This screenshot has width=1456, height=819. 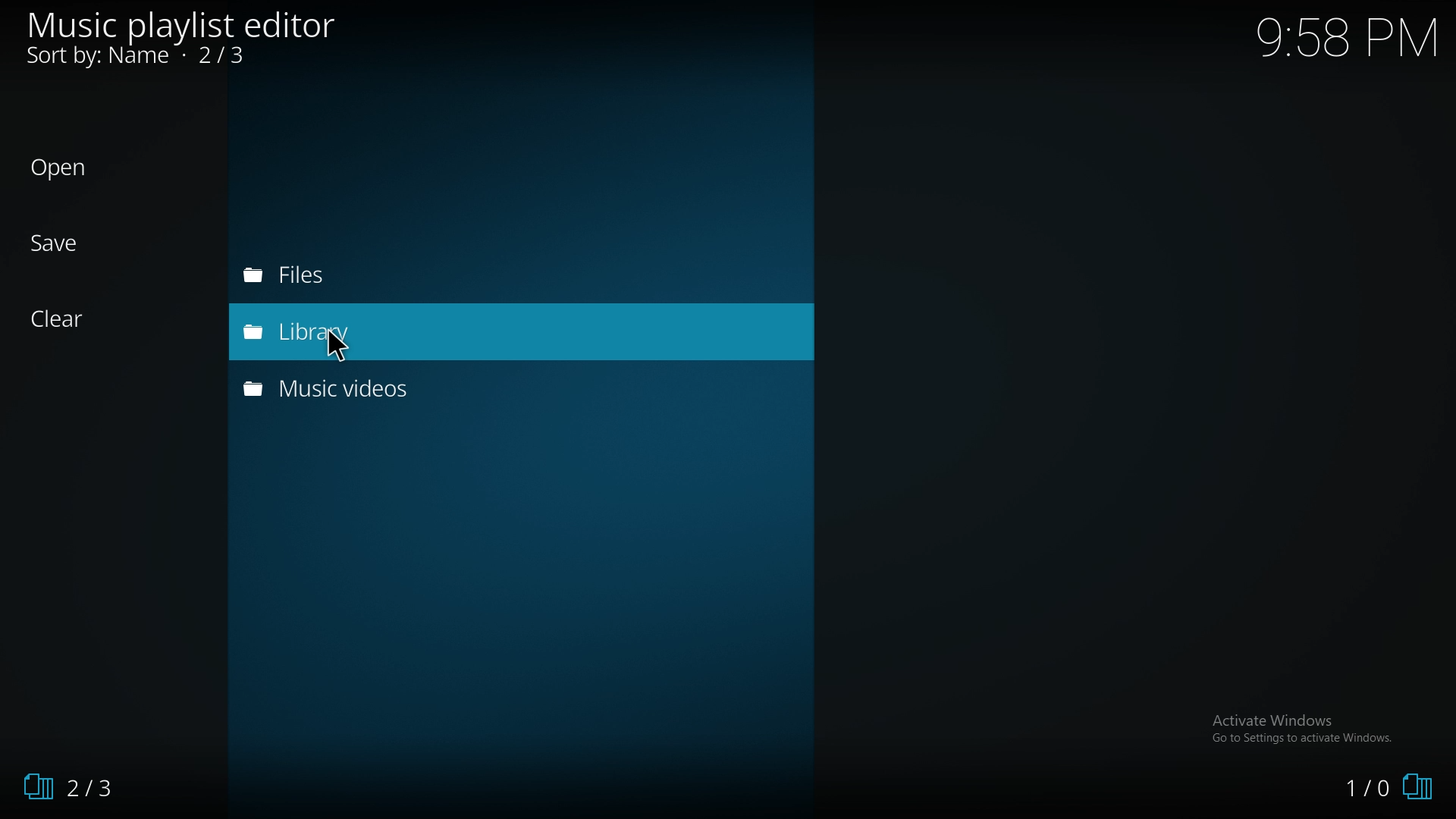 I want to click on music playlist editor, sort by: name 2/3, so click(x=192, y=39).